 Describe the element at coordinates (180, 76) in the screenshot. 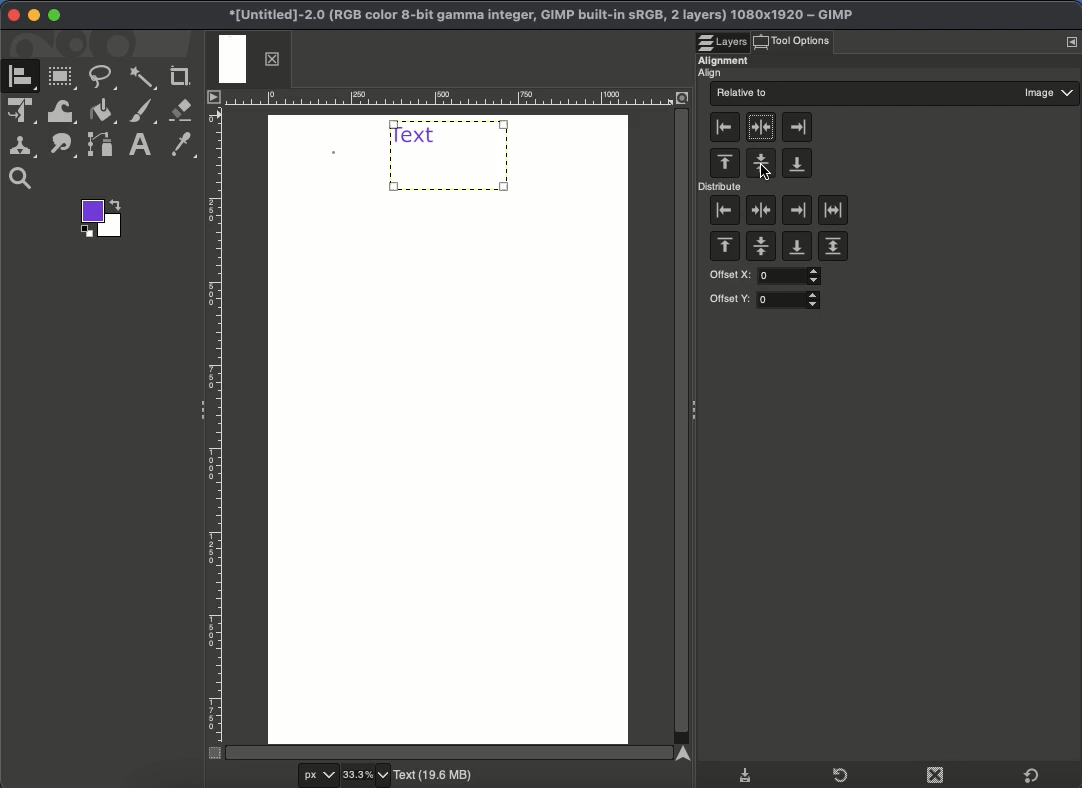

I see `Crop` at that location.